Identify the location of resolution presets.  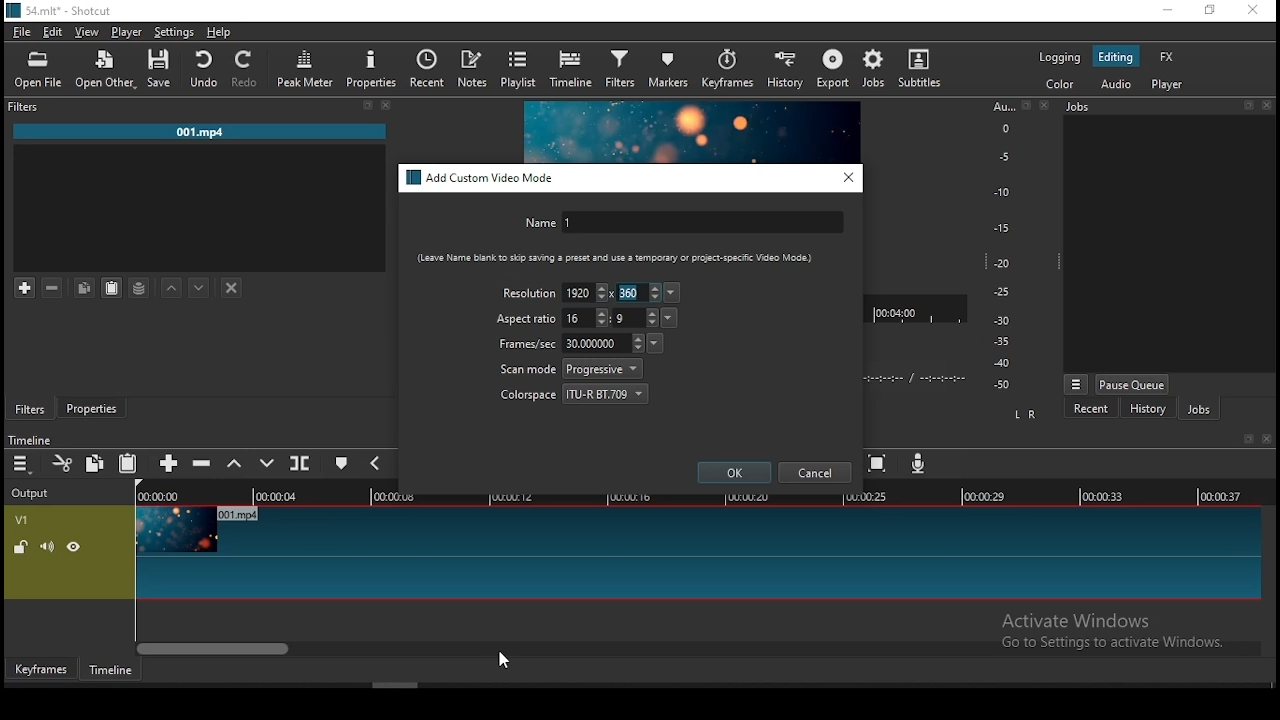
(674, 293).